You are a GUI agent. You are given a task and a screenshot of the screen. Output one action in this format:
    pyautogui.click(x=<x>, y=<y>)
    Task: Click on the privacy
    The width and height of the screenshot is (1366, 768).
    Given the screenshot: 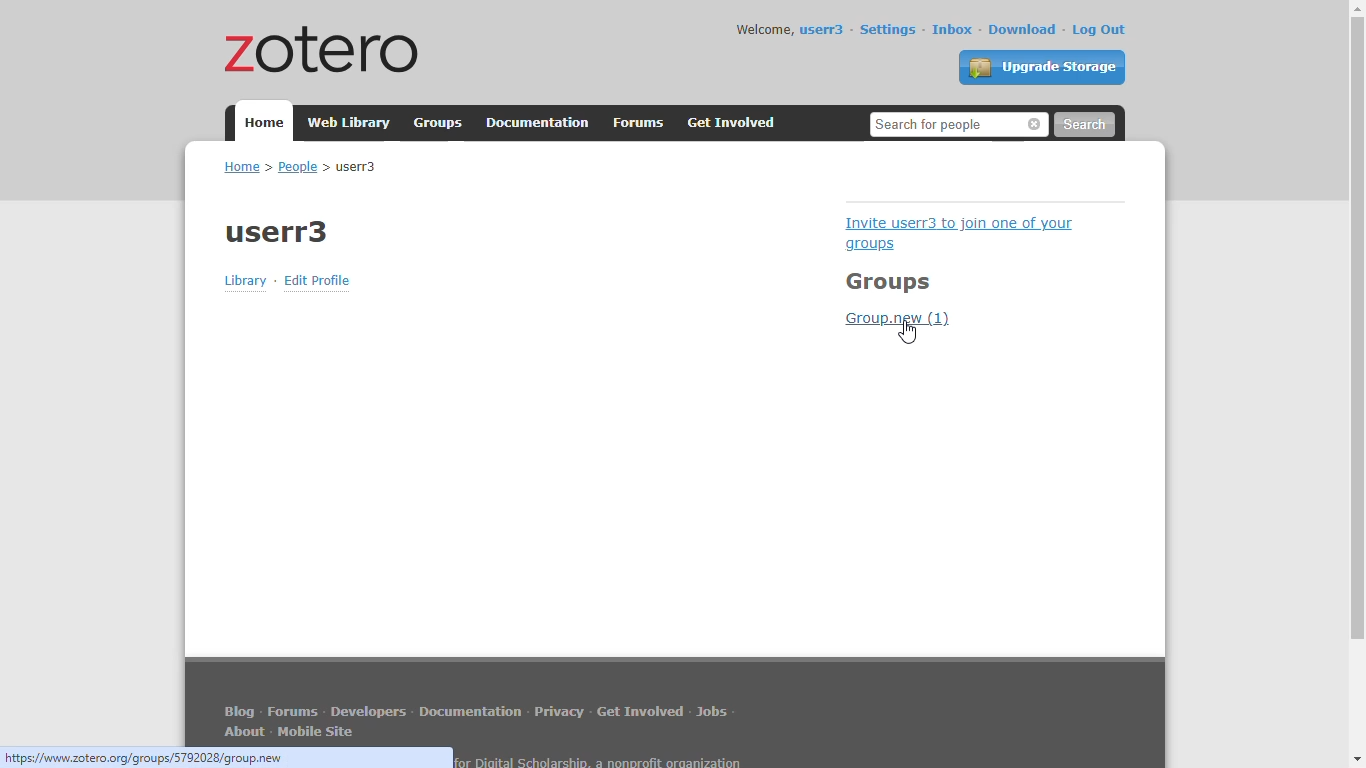 What is the action you would take?
    pyautogui.click(x=559, y=711)
    